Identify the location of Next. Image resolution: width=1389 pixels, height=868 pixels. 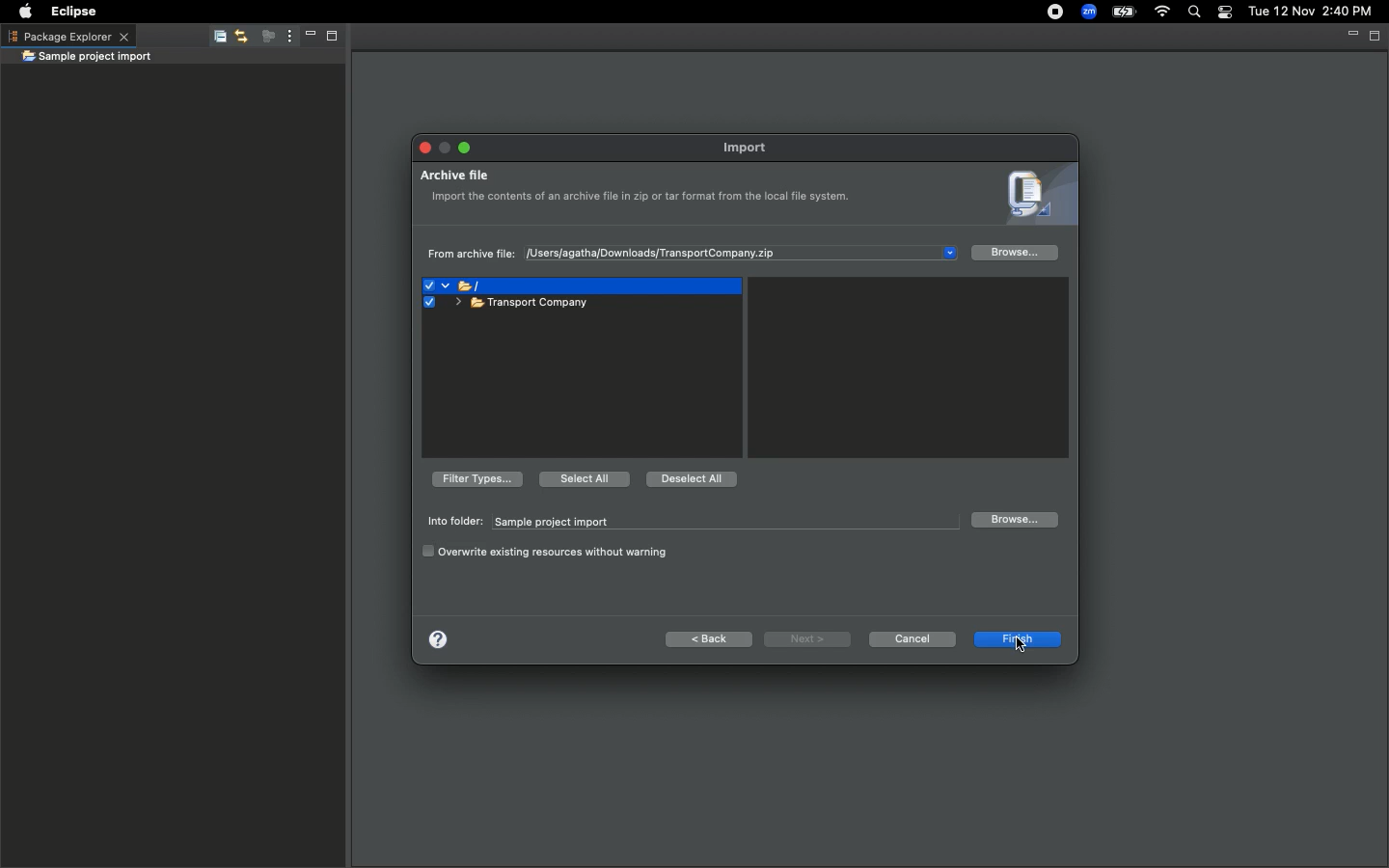
(807, 639).